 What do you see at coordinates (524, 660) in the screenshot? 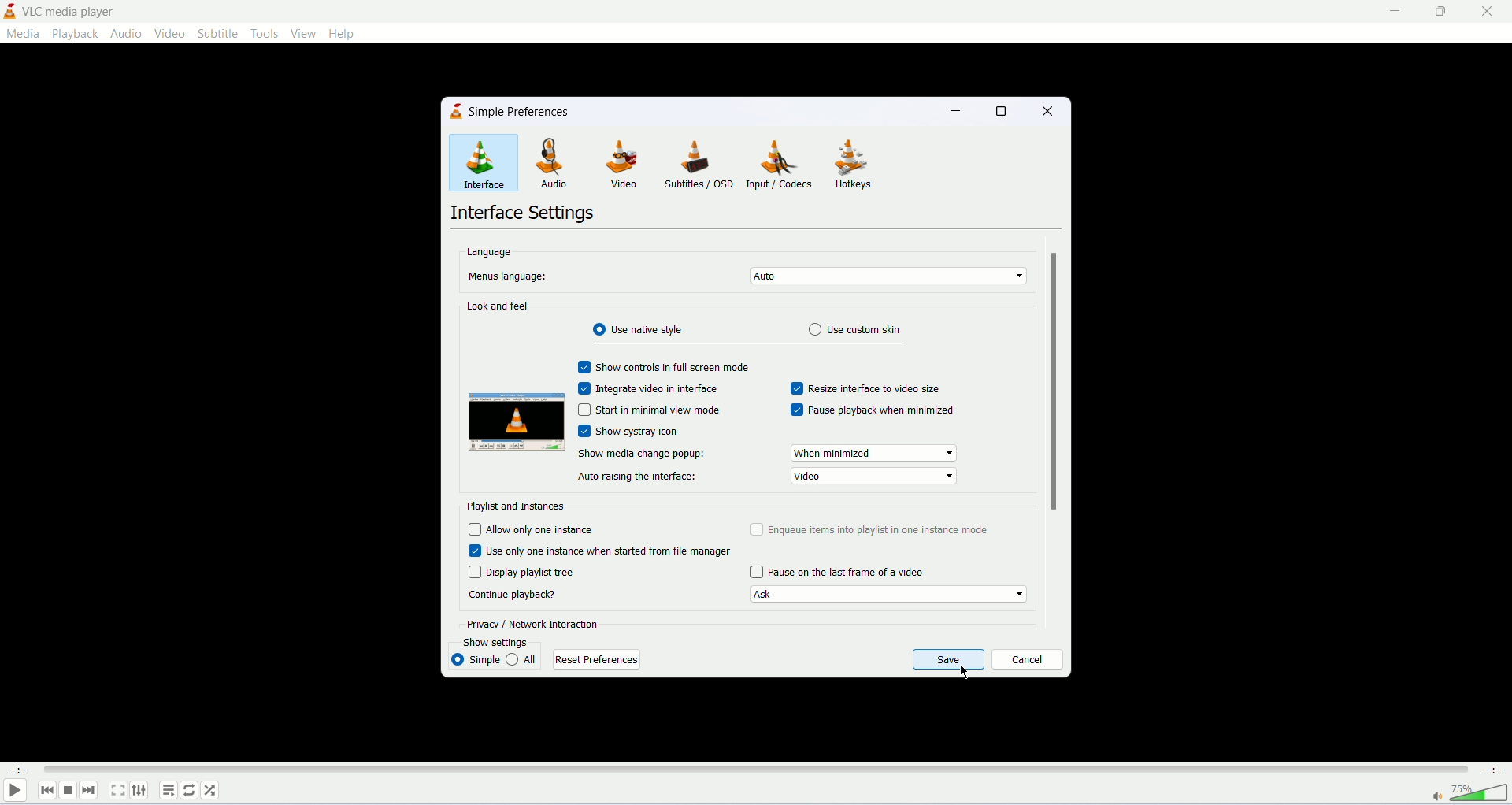
I see `all` at bounding box center [524, 660].